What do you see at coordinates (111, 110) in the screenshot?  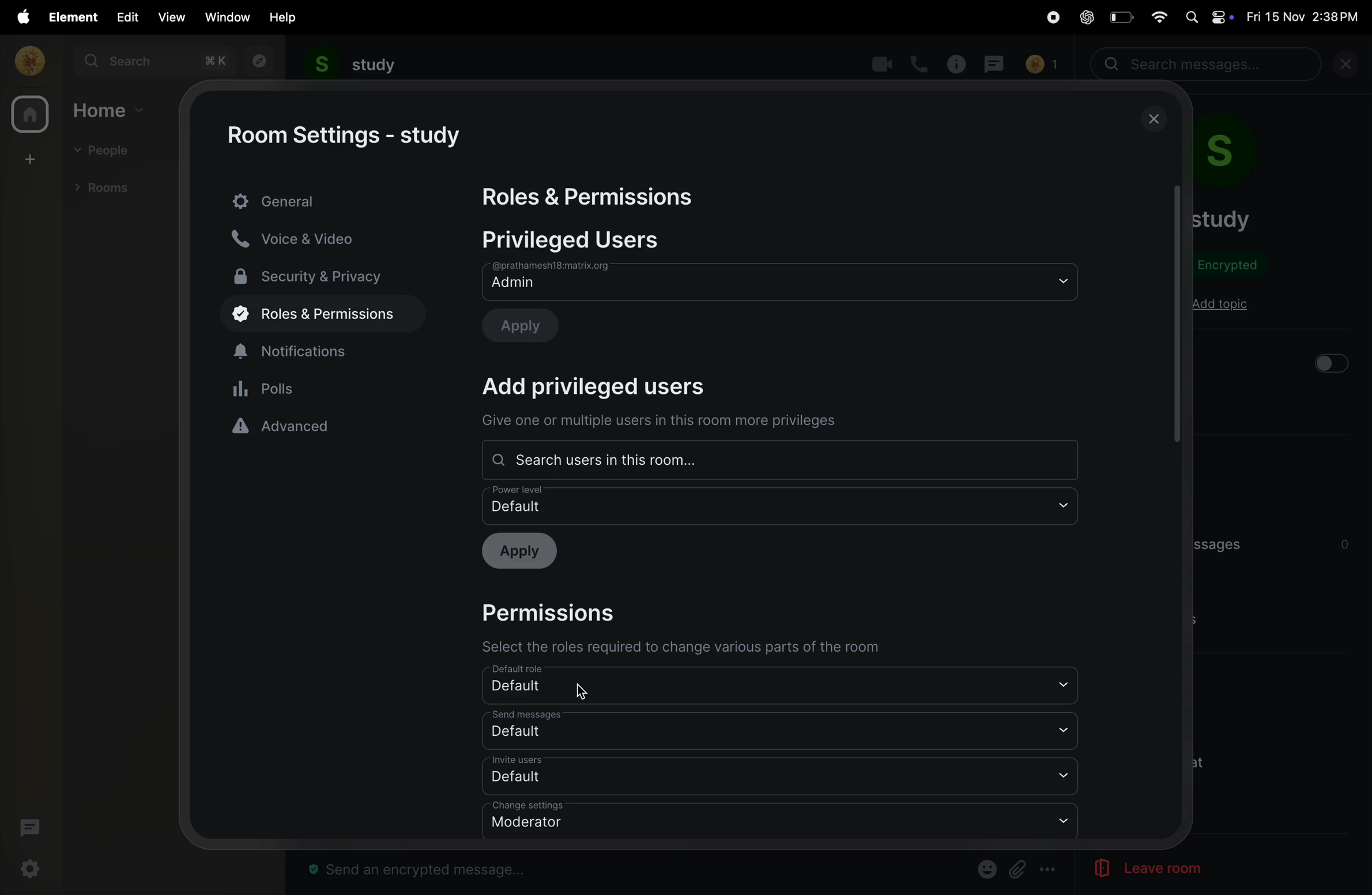 I see `home` at bounding box center [111, 110].